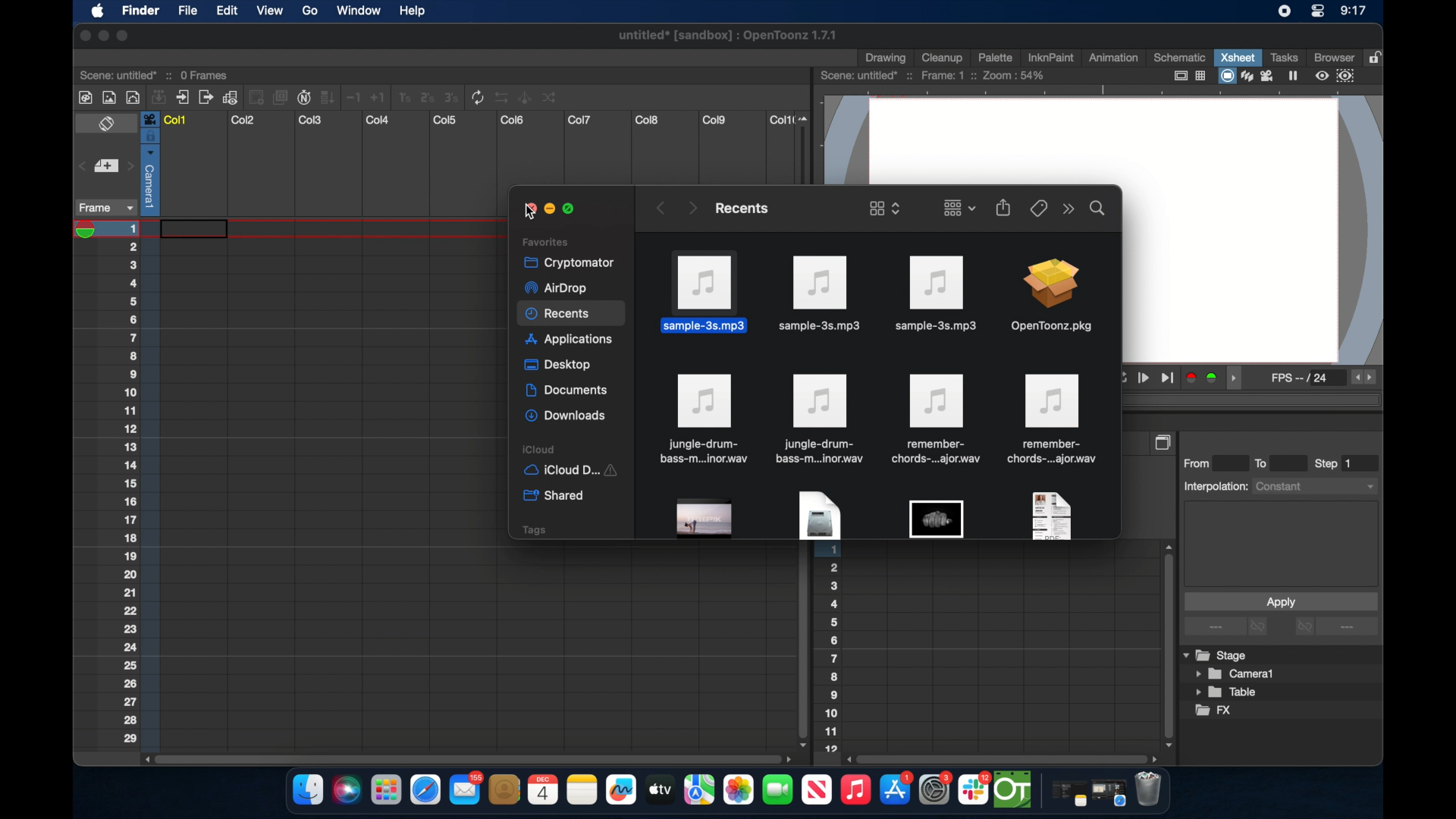 The width and height of the screenshot is (1456, 819). What do you see at coordinates (108, 125) in the screenshot?
I see `toggle x sheet` at bounding box center [108, 125].